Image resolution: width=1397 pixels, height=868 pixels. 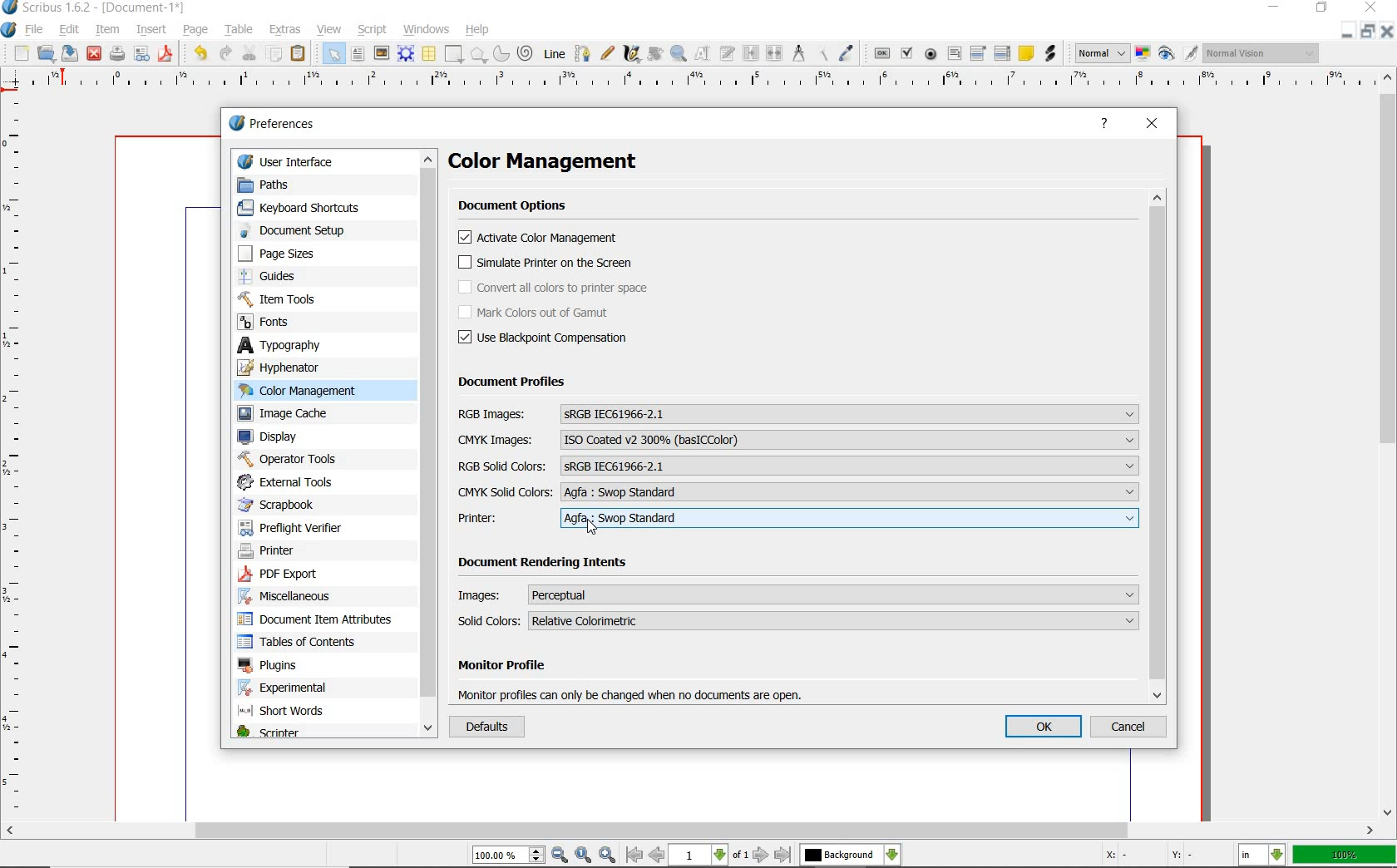 I want to click on CMYK Images, so click(x=798, y=440).